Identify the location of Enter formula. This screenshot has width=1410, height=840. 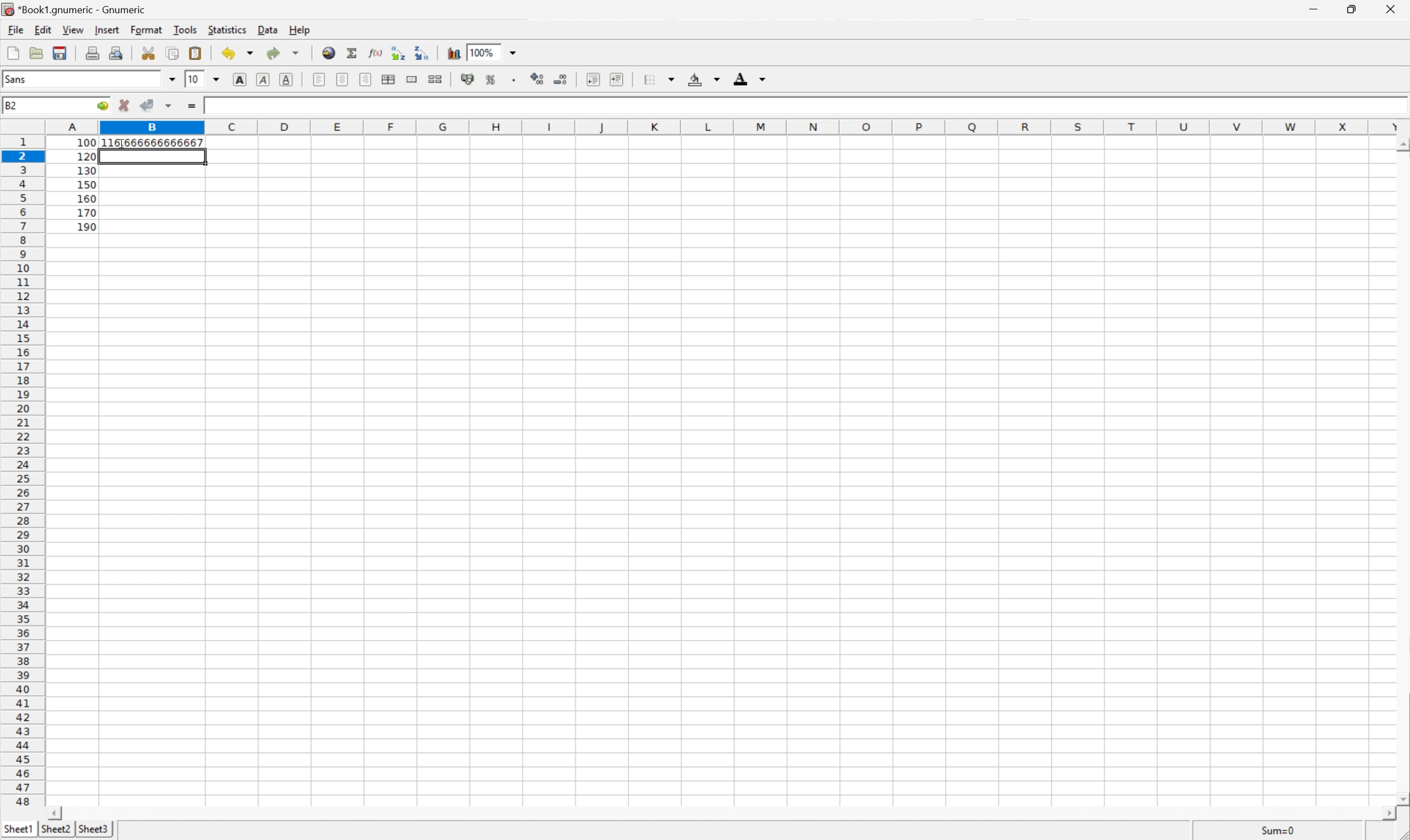
(193, 104).